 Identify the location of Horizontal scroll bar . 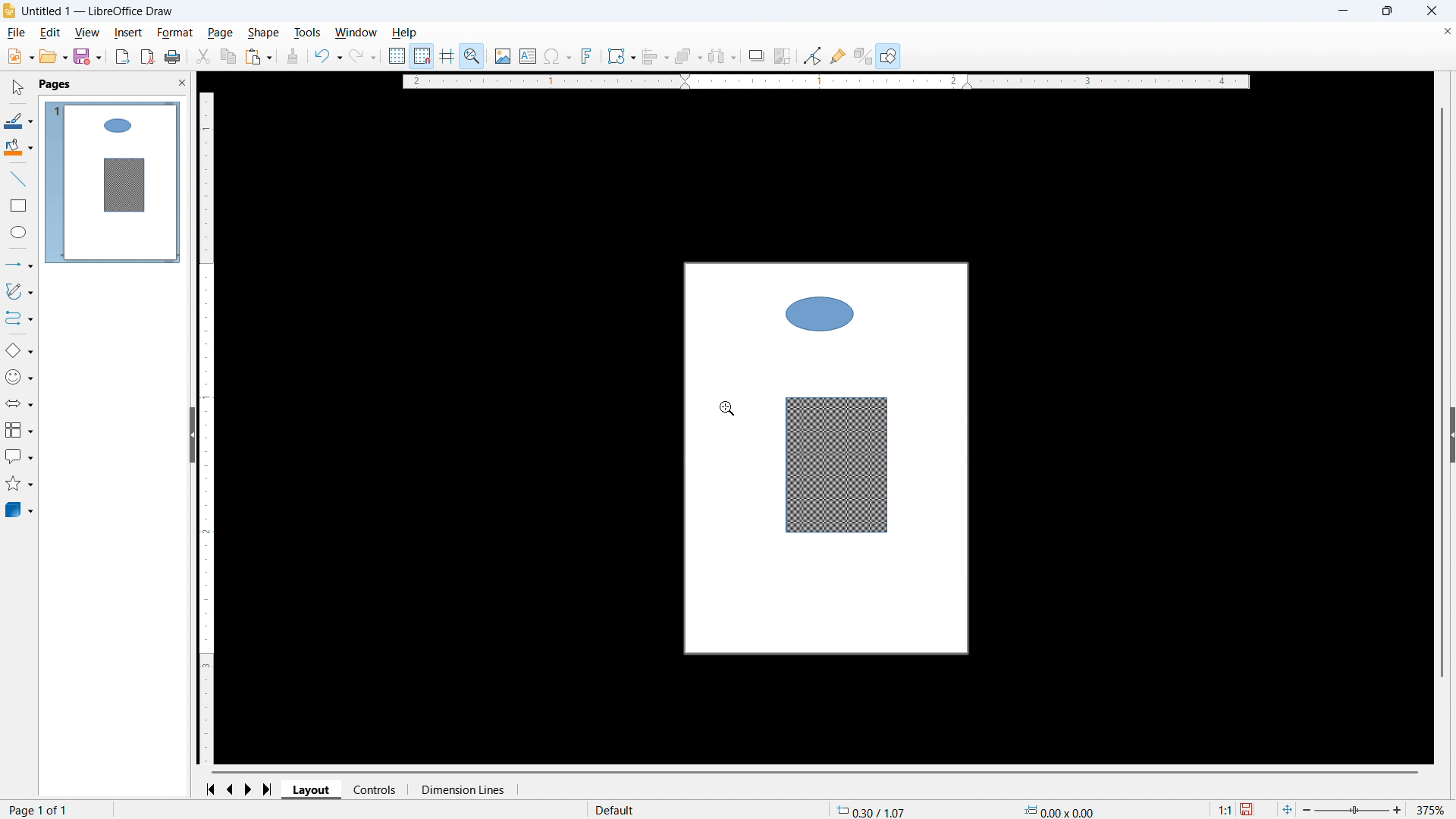
(816, 772).